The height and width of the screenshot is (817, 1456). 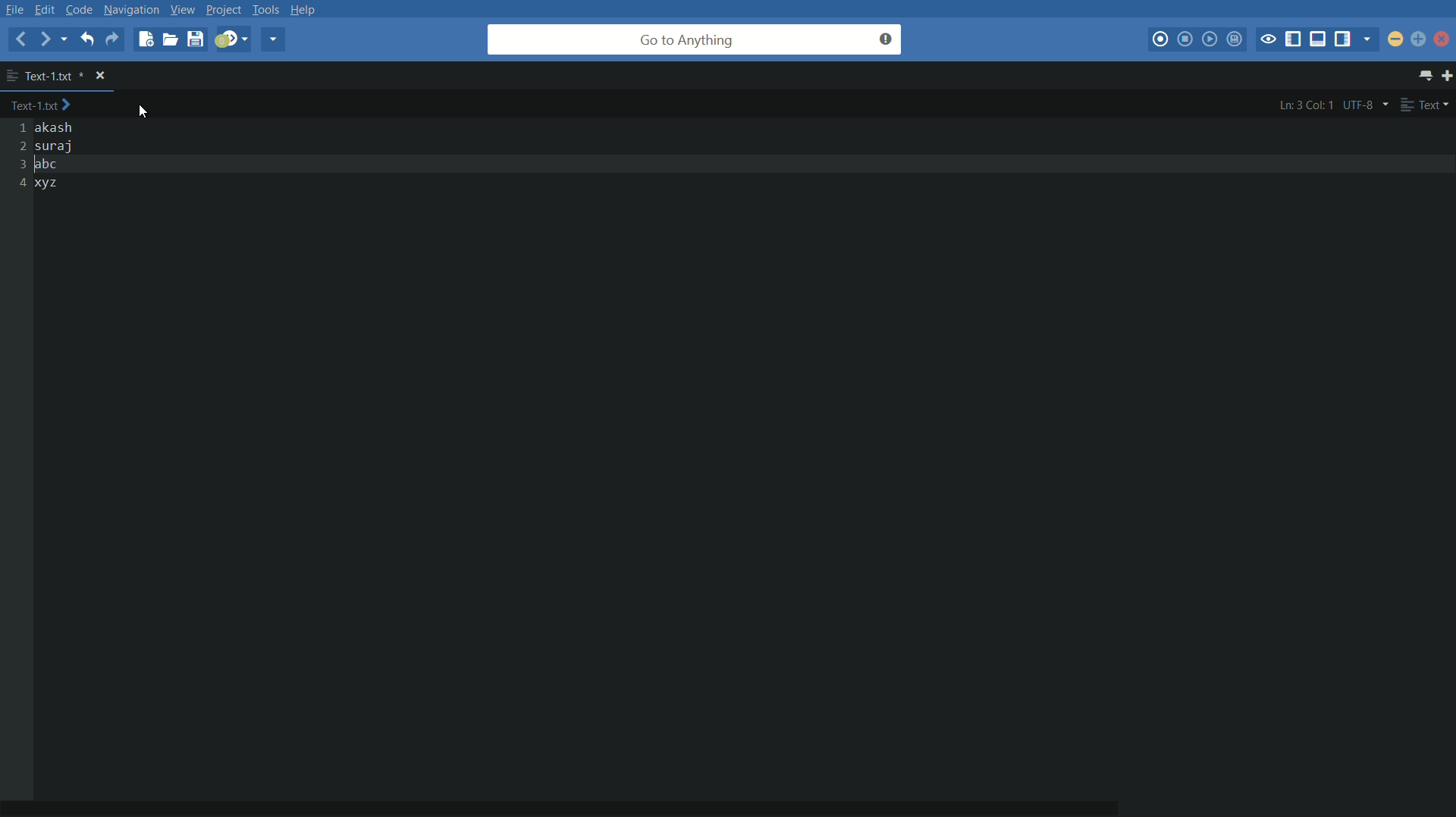 What do you see at coordinates (267, 9) in the screenshot?
I see `tools ` at bounding box center [267, 9].